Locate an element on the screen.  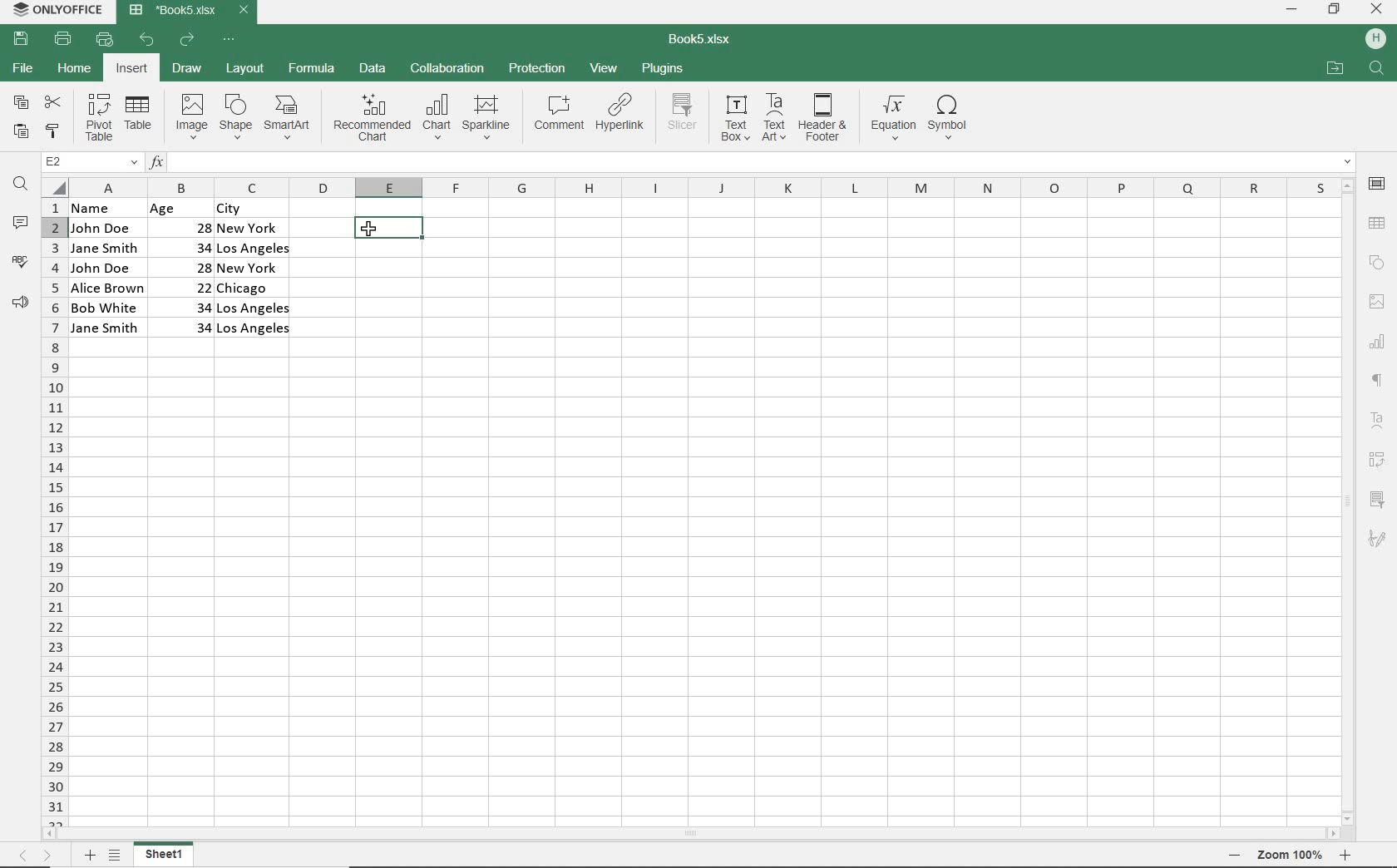
PARAGRAPH SETTINGS is located at coordinates (1376, 378).